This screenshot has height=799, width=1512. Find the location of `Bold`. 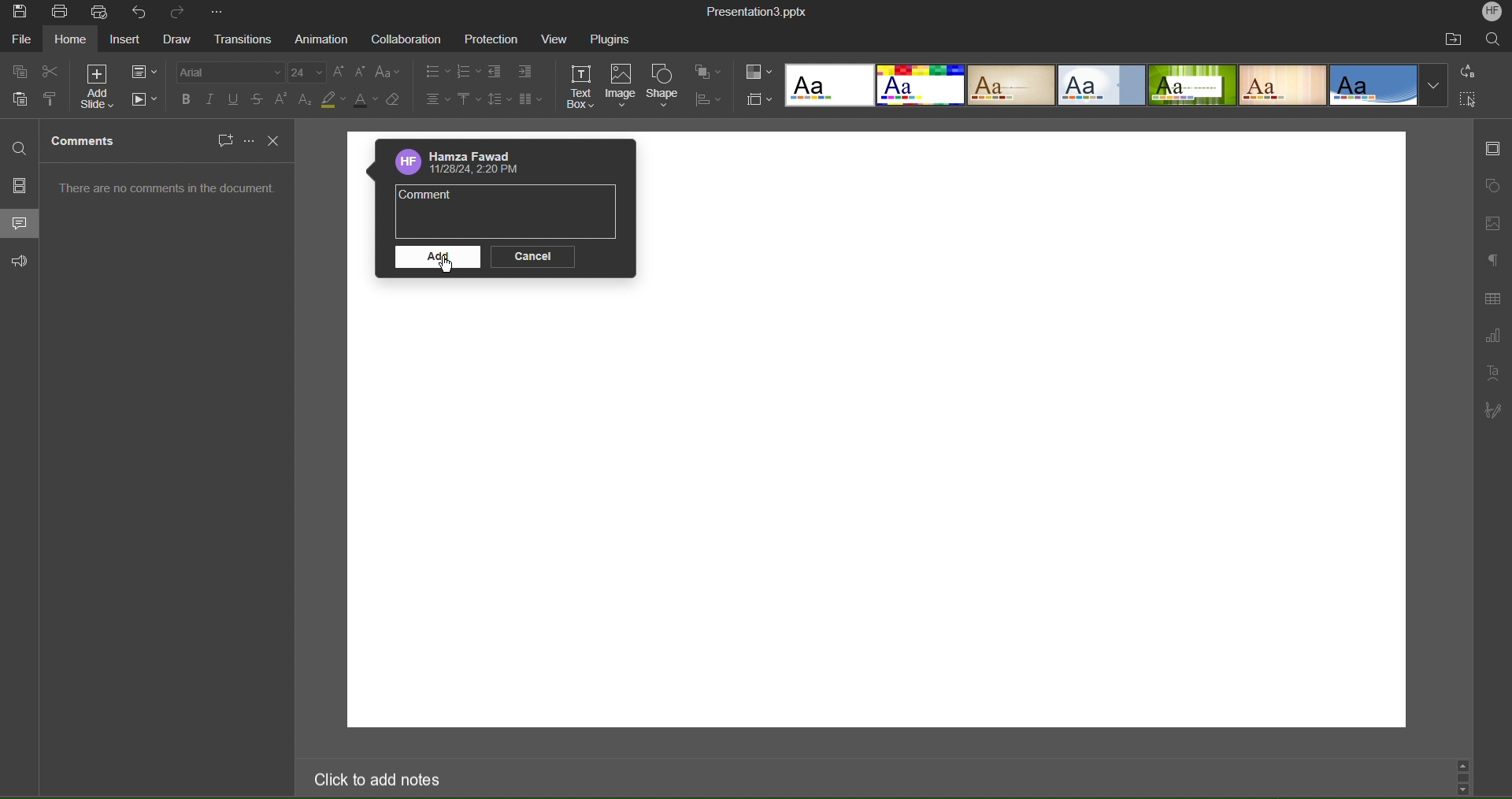

Bold is located at coordinates (188, 99).